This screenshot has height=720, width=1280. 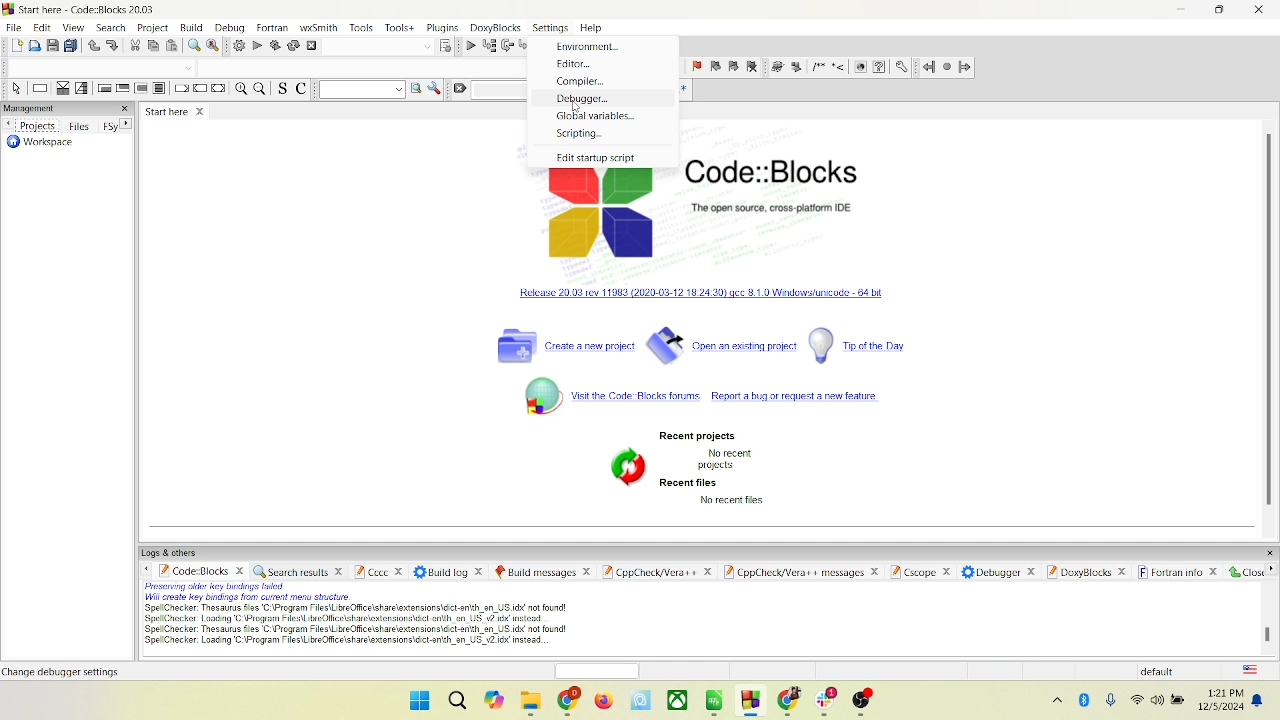 I want to click on plugins, so click(x=444, y=28).